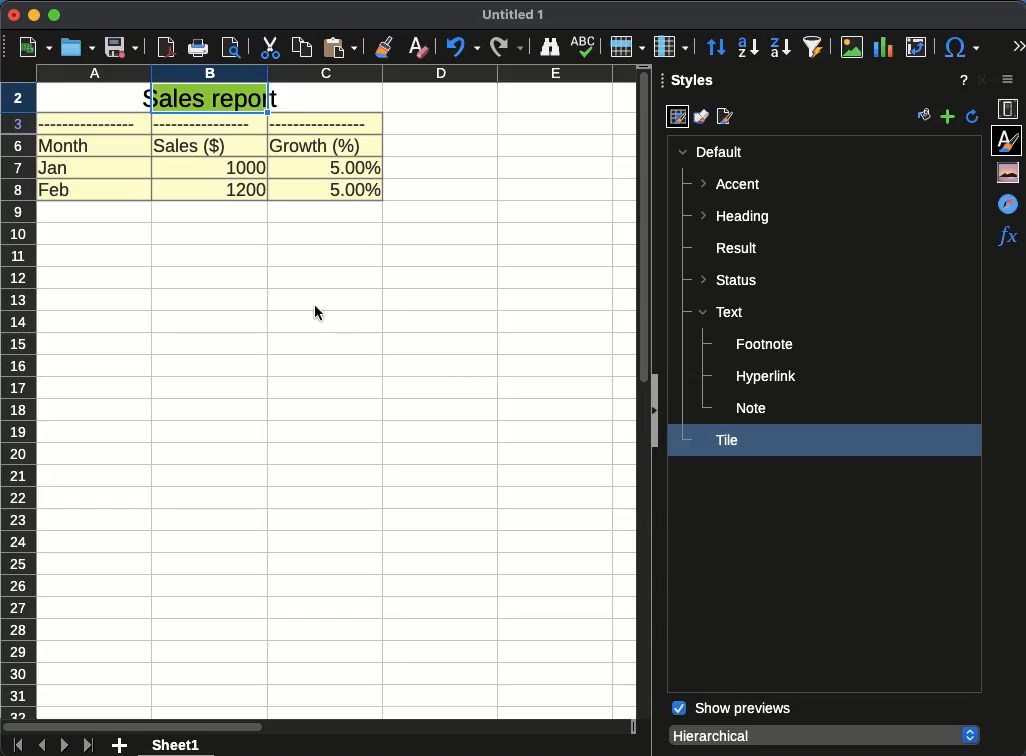 The width and height of the screenshot is (1026, 756). Describe the element at coordinates (947, 117) in the screenshot. I see `add new style` at that location.